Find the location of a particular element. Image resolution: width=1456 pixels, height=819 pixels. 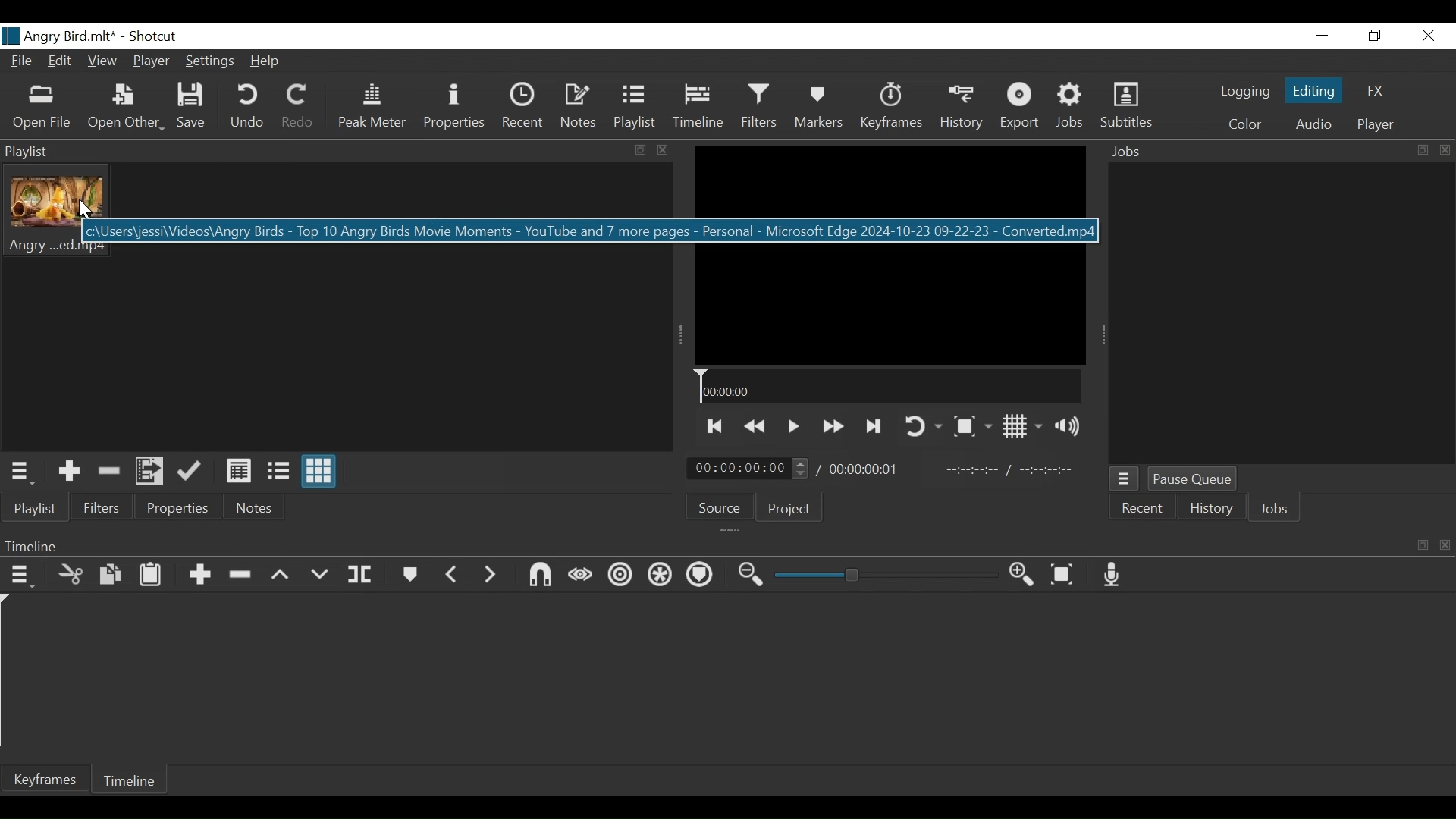

View as details is located at coordinates (238, 471).